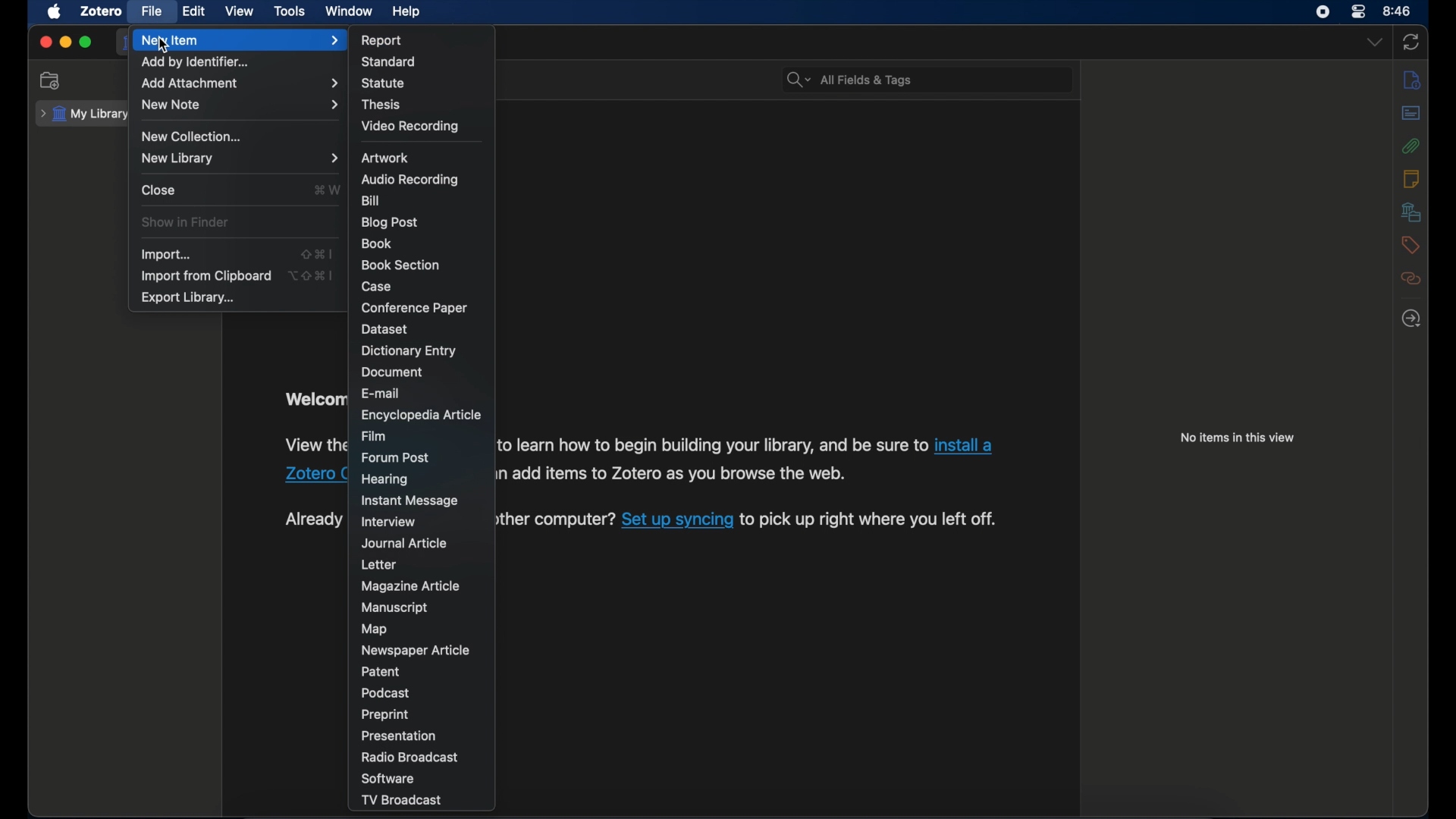 The image size is (1456, 819). Describe the element at coordinates (379, 672) in the screenshot. I see `patent` at that location.